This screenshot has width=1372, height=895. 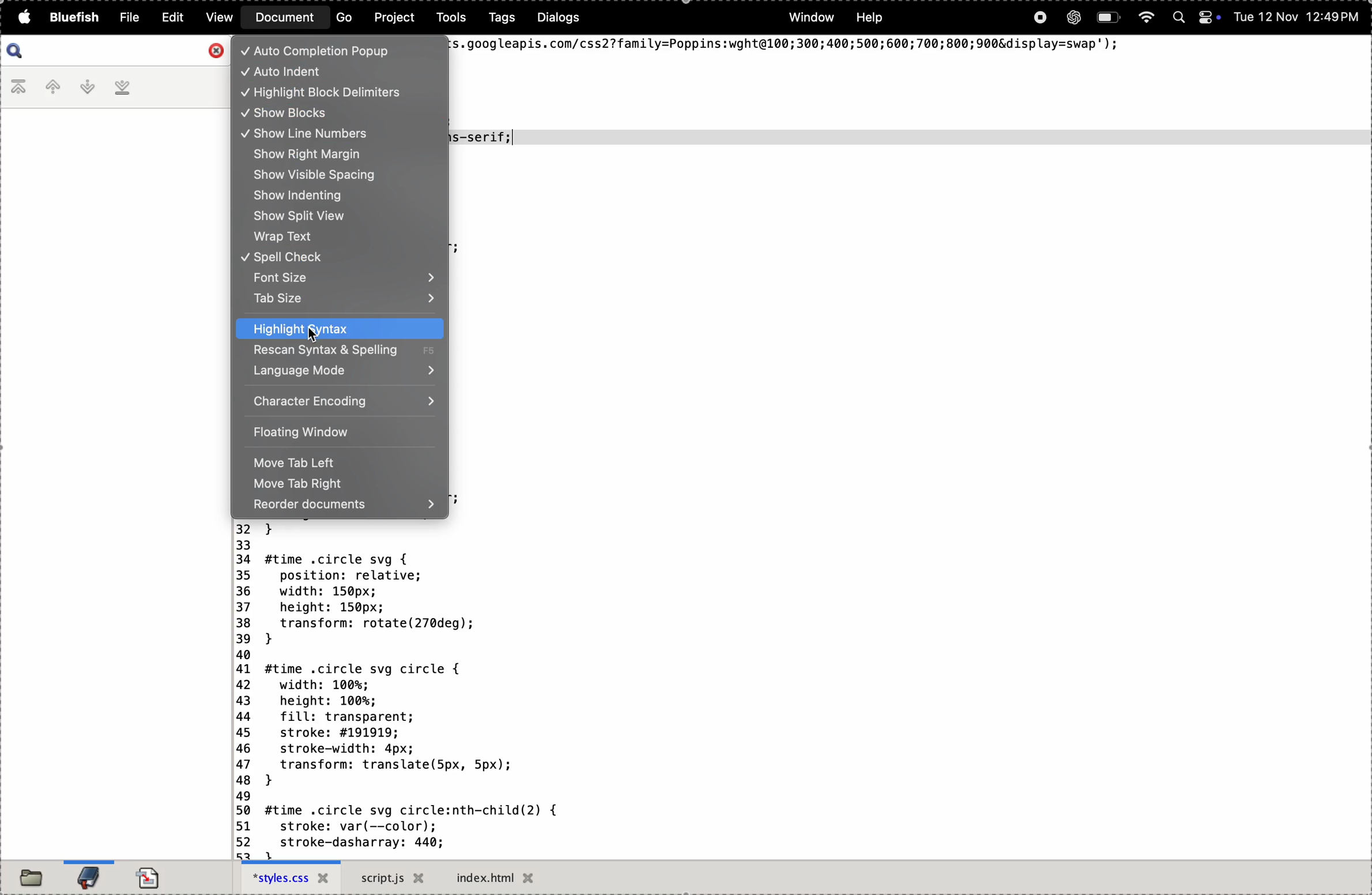 I want to click on open file, so click(x=31, y=877).